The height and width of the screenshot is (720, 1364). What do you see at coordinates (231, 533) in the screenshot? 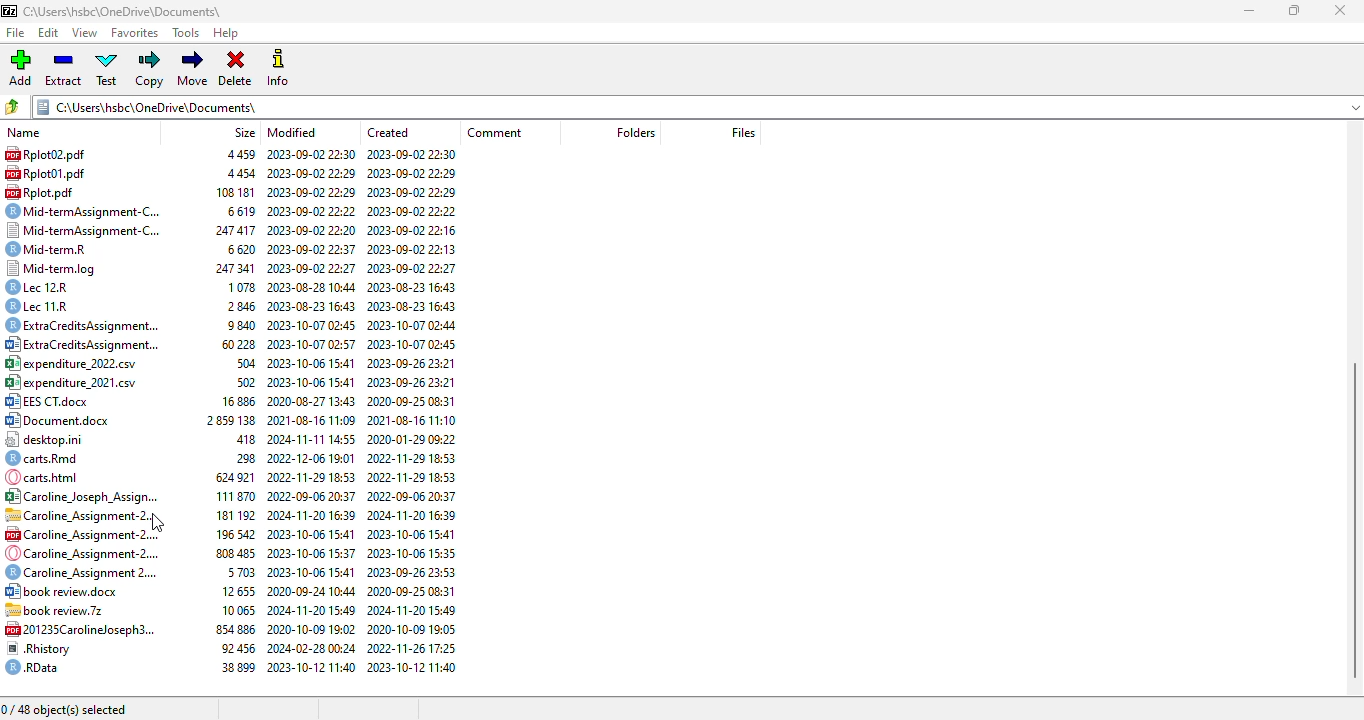
I see `196 542` at bounding box center [231, 533].